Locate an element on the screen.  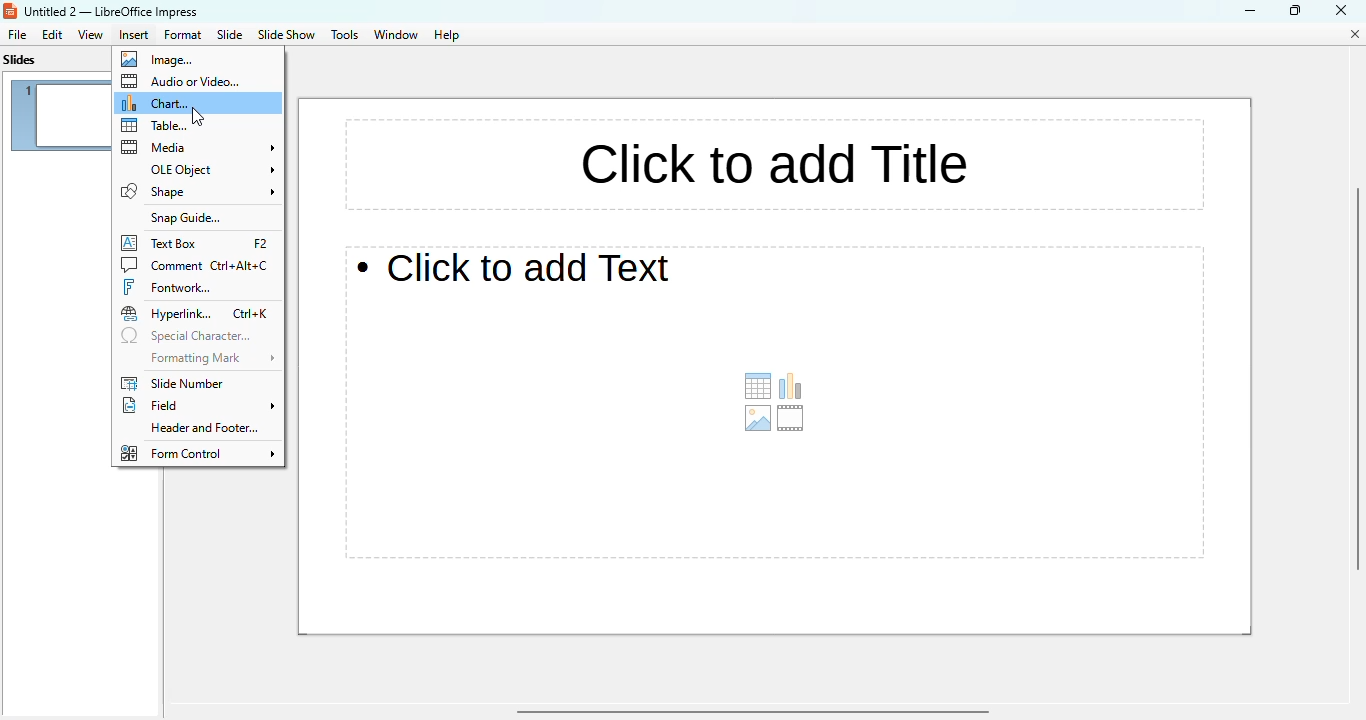
edit is located at coordinates (51, 34).